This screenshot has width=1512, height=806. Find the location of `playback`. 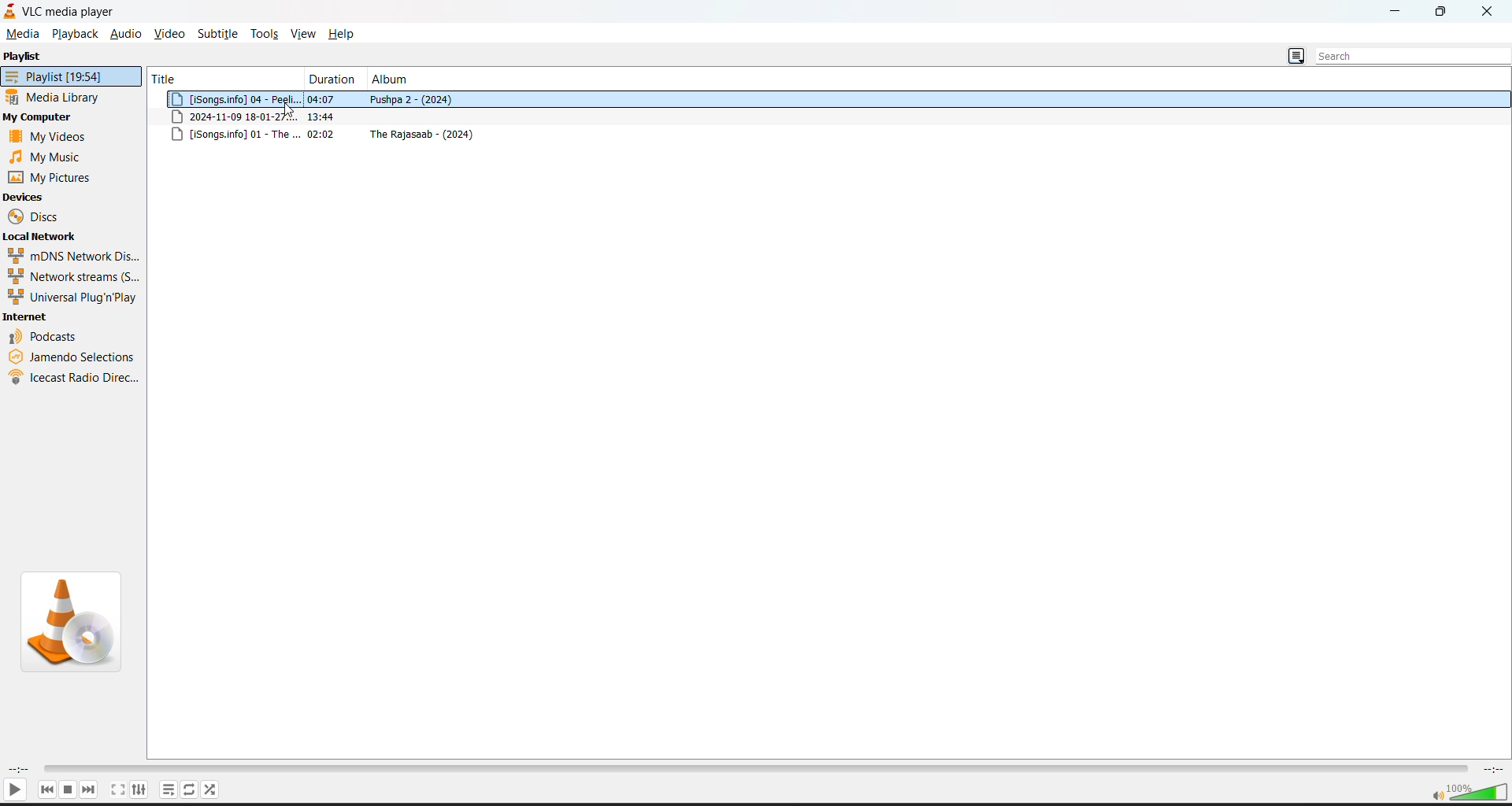

playback is located at coordinates (76, 35).